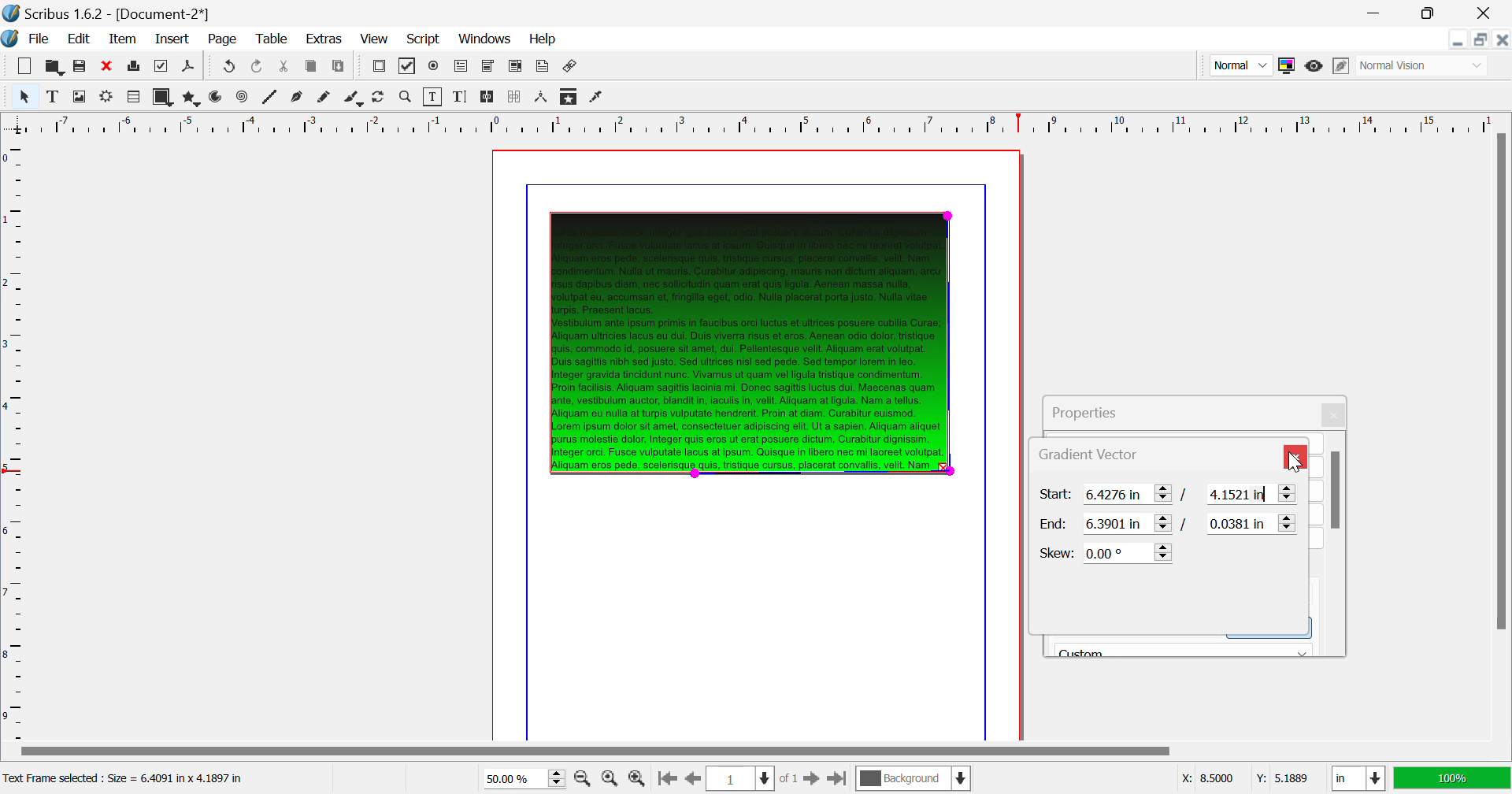 Image resolution: width=1512 pixels, height=794 pixels. Describe the element at coordinates (1359, 780) in the screenshot. I see `Measurement Units` at that location.